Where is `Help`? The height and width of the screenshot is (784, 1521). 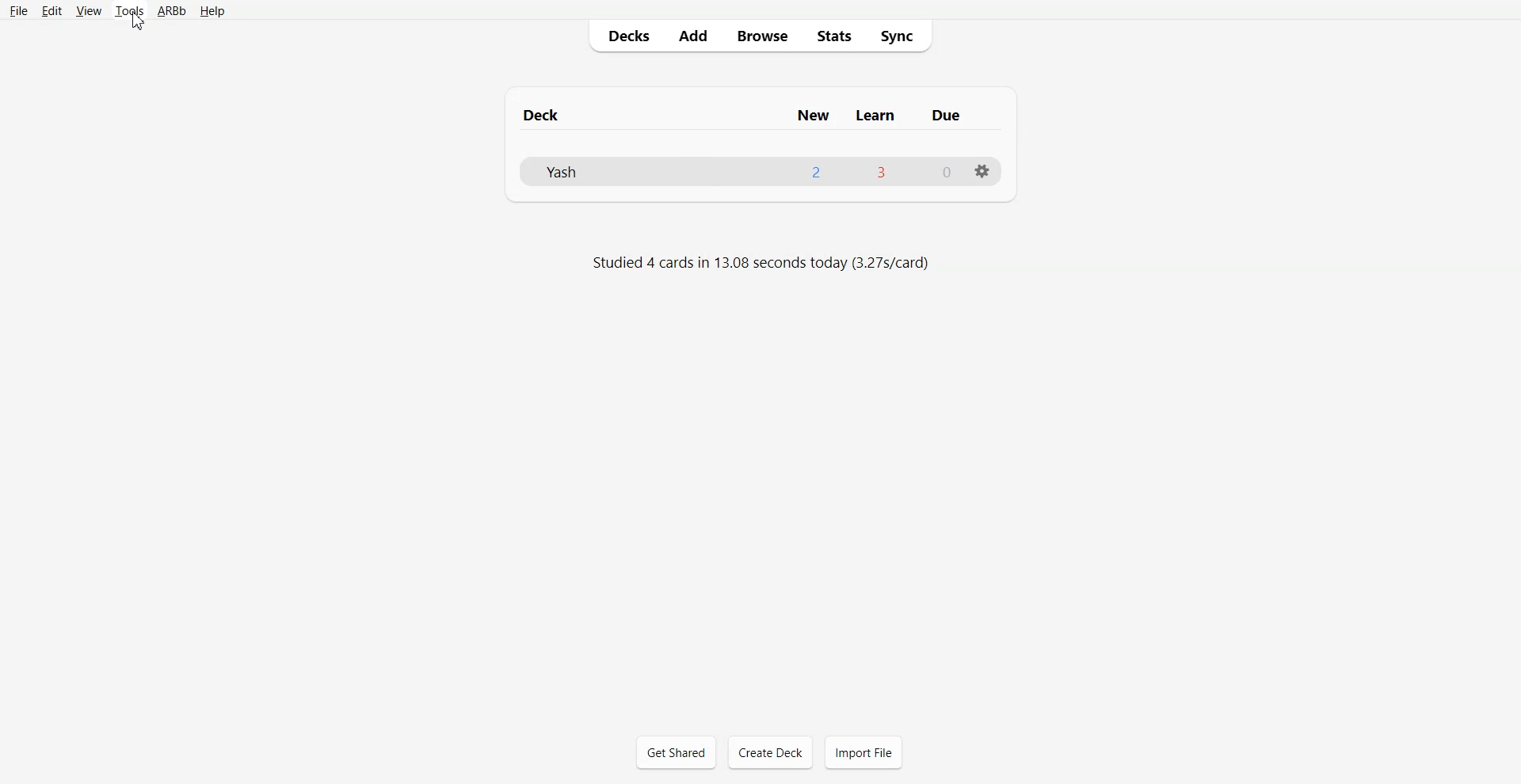
Help is located at coordinates (212, 12).